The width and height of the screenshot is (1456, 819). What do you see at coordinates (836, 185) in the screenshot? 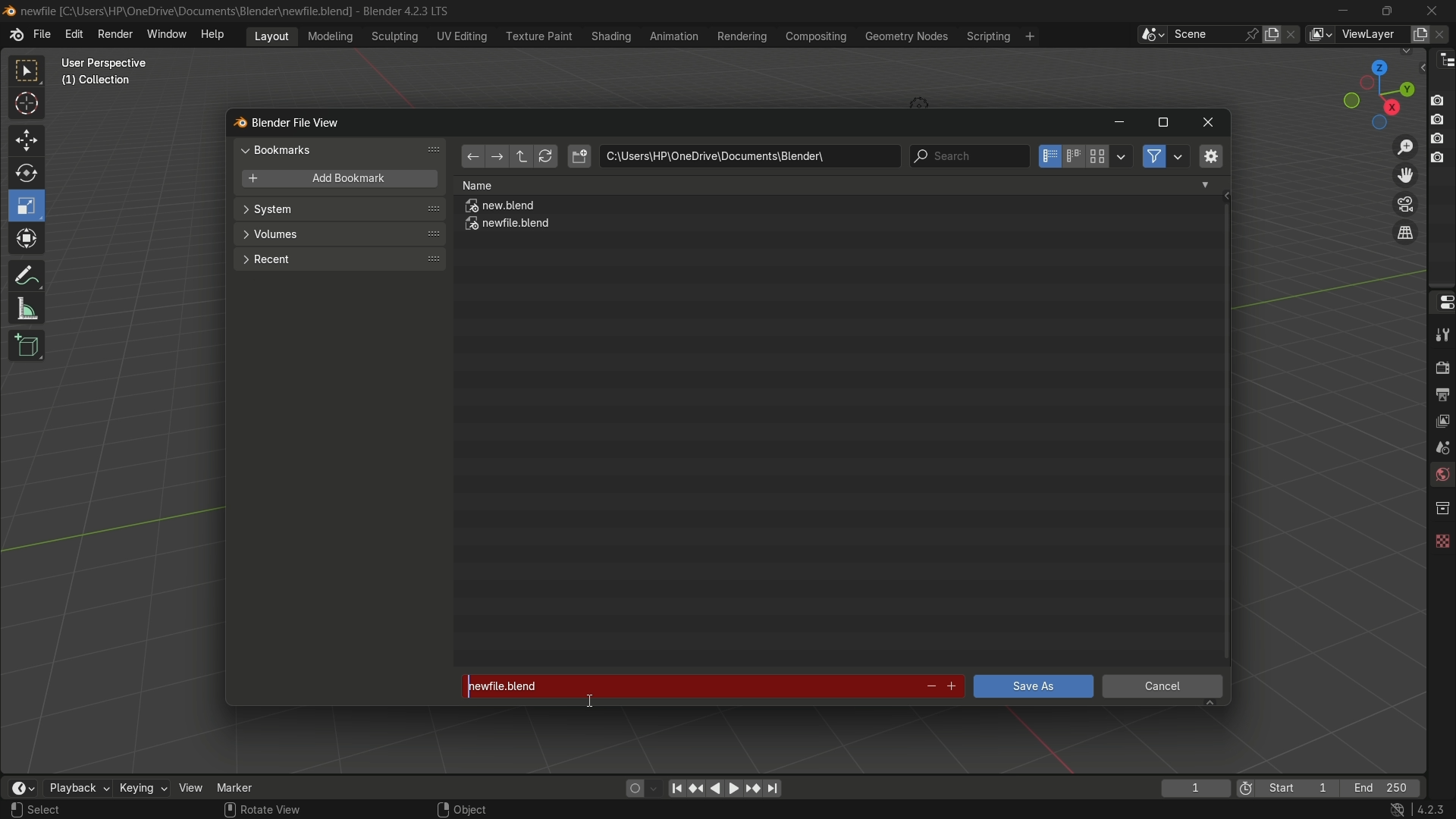
I see `Name` at bounding box center [836, 185].